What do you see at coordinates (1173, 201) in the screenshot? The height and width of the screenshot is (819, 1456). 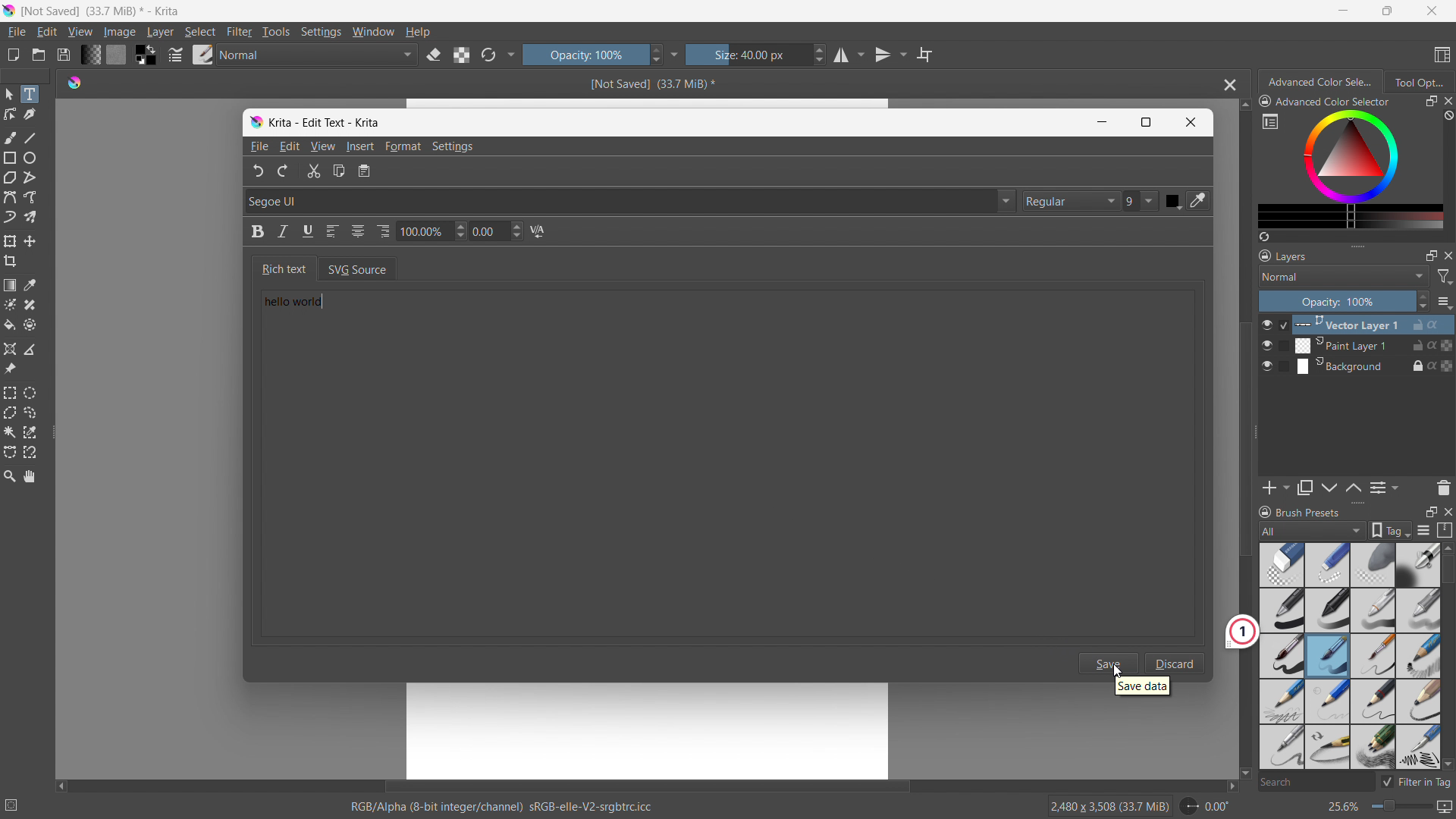 I see `Color` at bounding box center [1173, 201].